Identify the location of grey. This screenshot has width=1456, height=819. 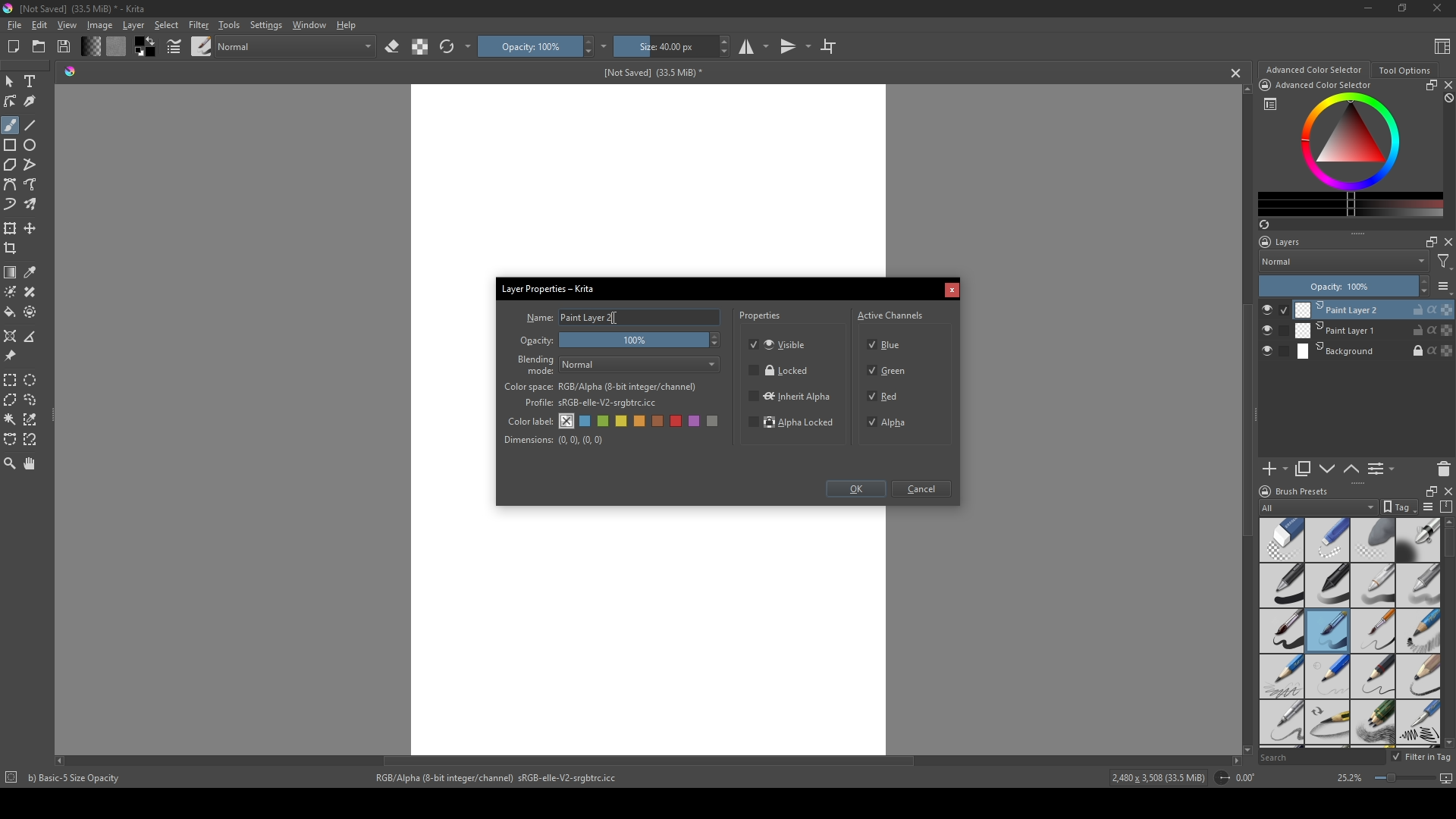
(715, 422).